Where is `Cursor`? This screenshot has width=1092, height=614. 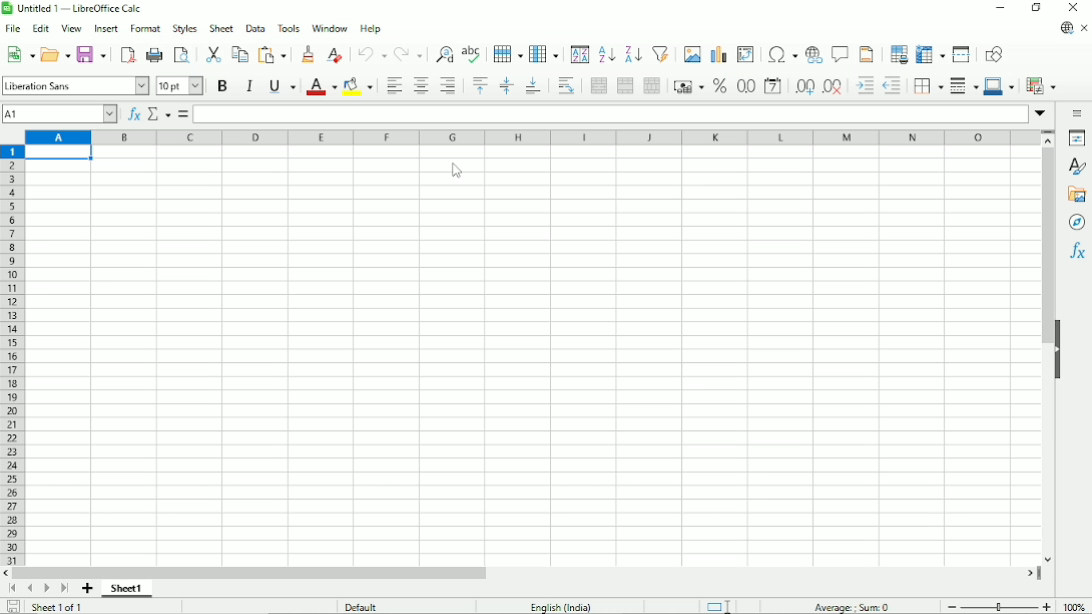 Cursor is located at coordinates (456, 171).